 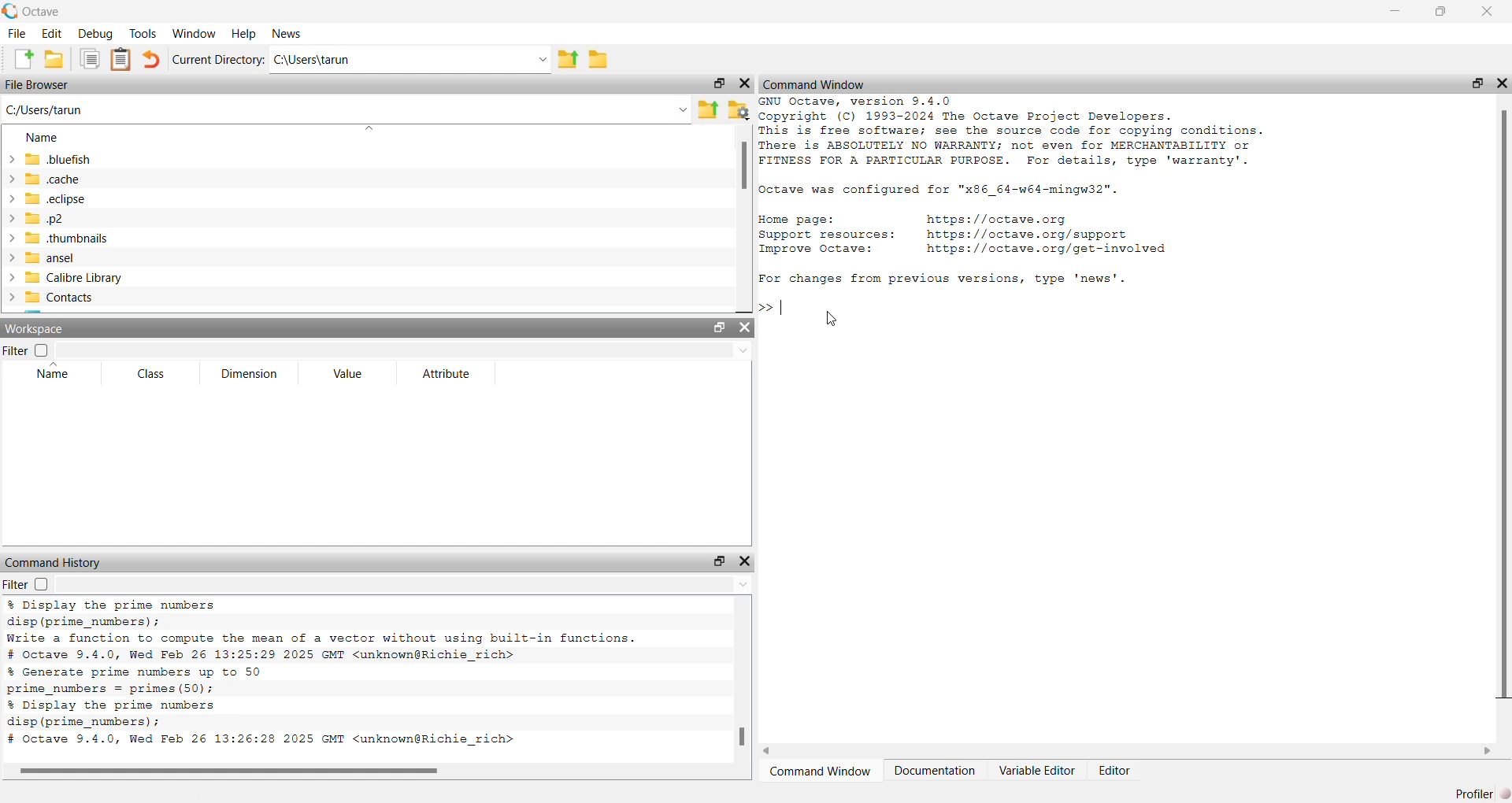 What do you see at coordinates (244, 34) in the screenshot?
I see `Help` at bounding box center [244, 34].